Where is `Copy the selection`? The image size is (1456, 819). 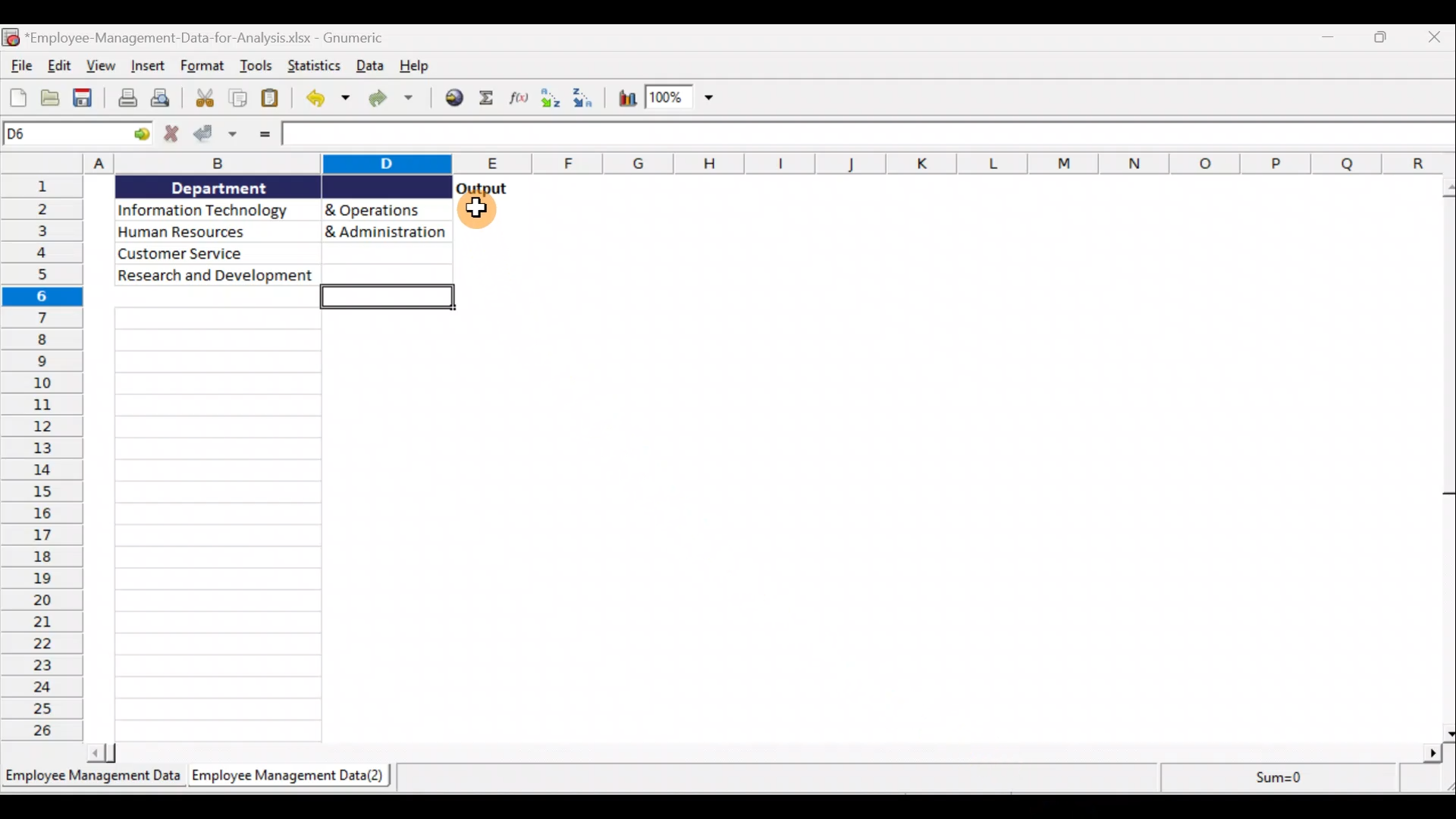
Copy the selection is located at coordinates (240, 99).